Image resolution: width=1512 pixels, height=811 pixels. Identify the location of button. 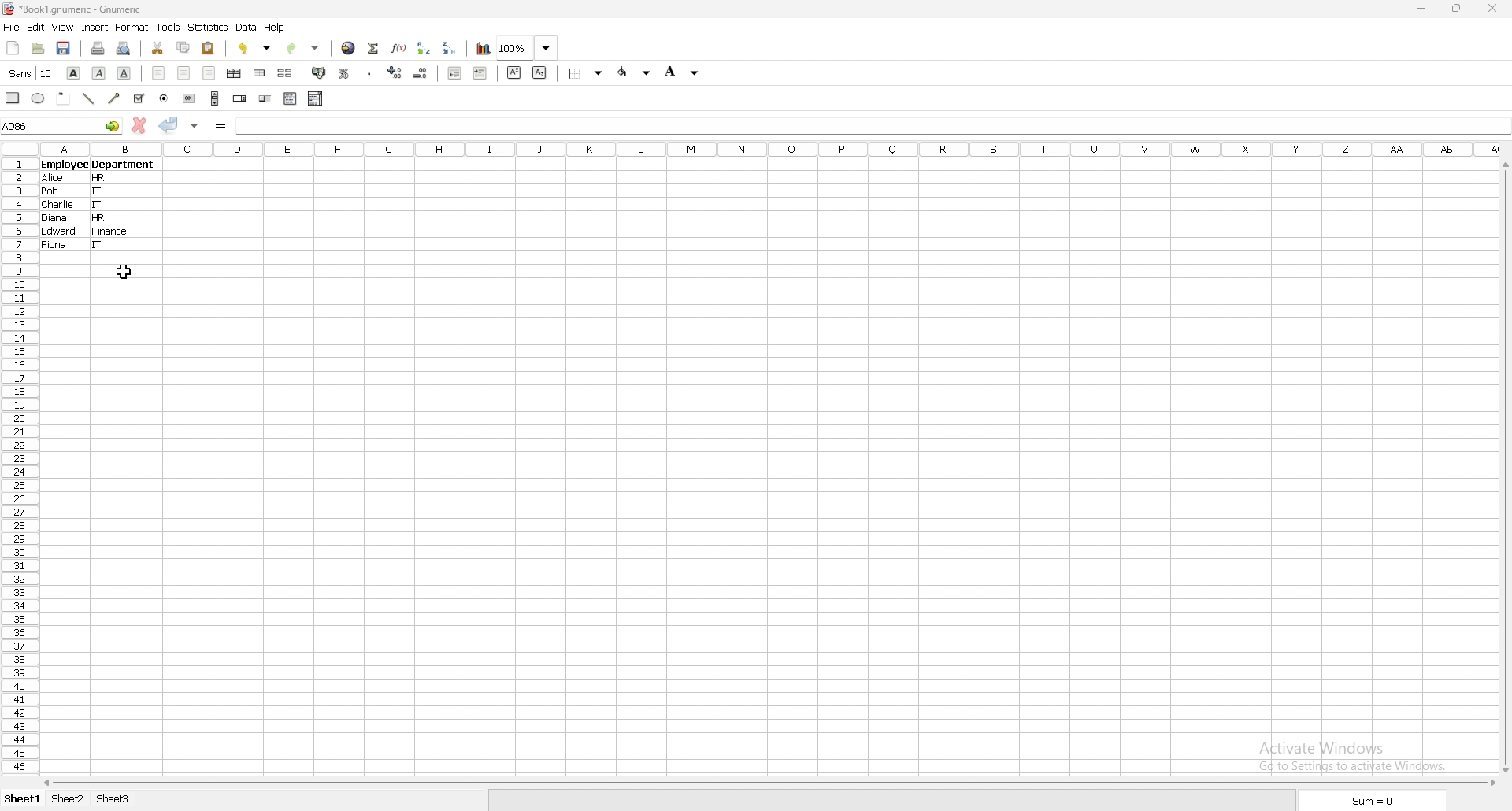
(189, 98).